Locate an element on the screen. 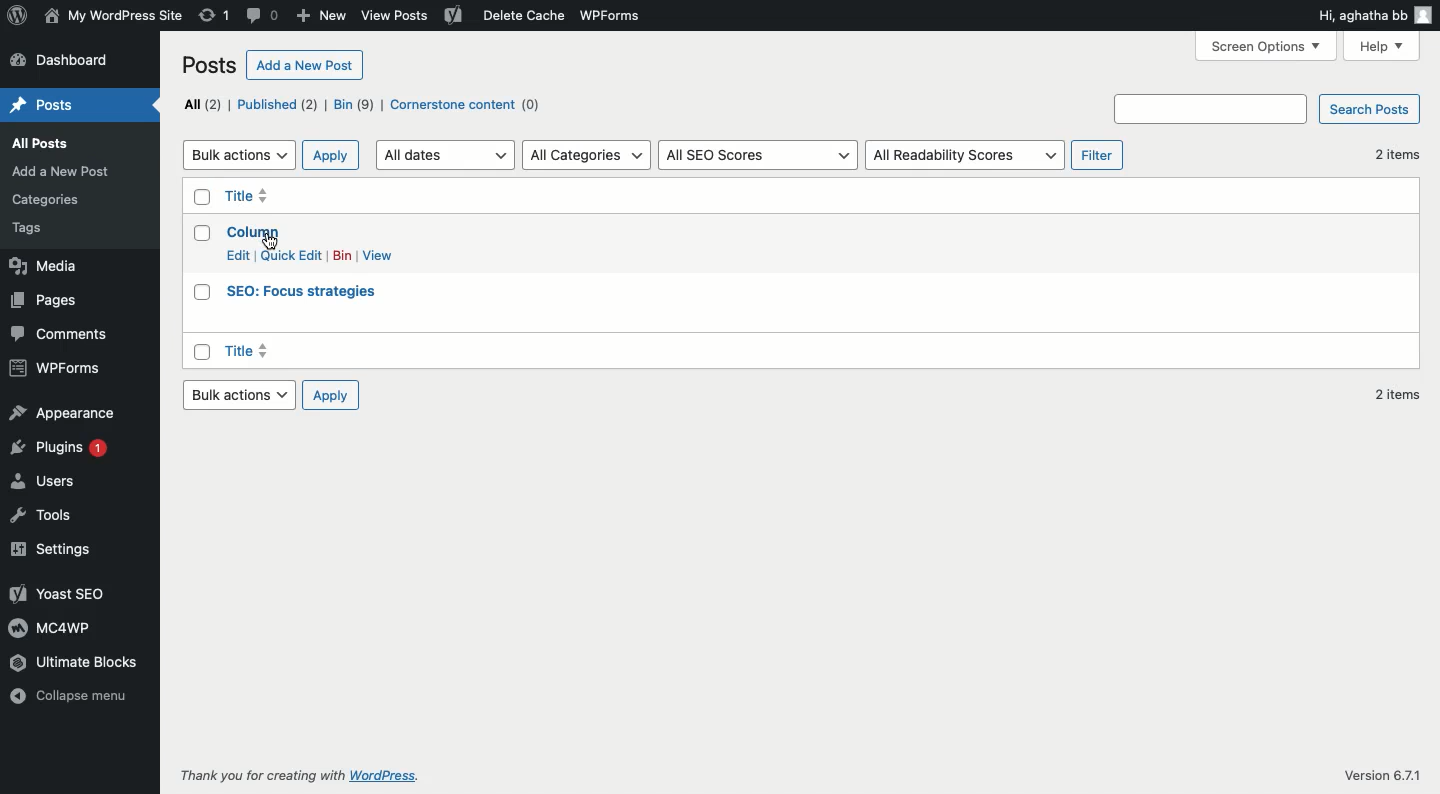 The height and width of the screenshot is (794, 1440). MC4WP is located at coordinates (53, 627).